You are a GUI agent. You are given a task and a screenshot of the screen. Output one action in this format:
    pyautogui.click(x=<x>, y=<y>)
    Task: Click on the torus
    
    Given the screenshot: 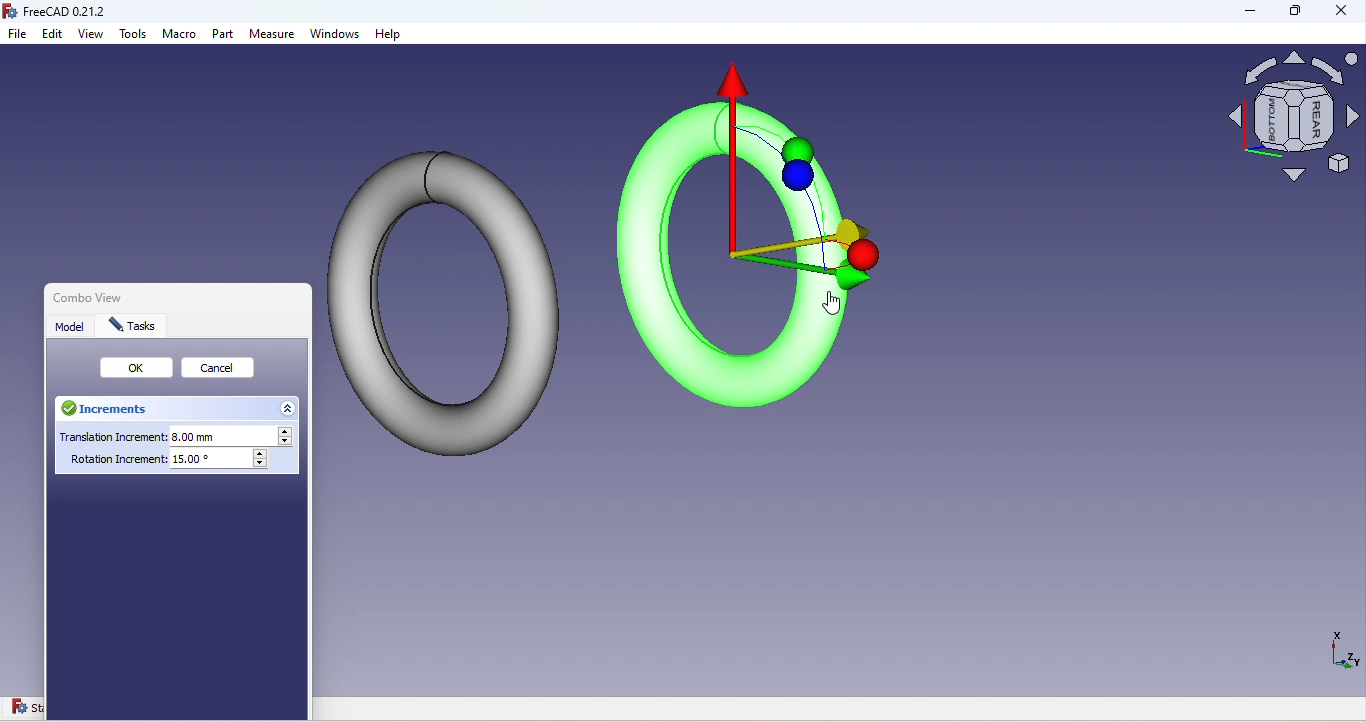 What is the action you would take?
    pyautogui.click(x=443, y=297)
    